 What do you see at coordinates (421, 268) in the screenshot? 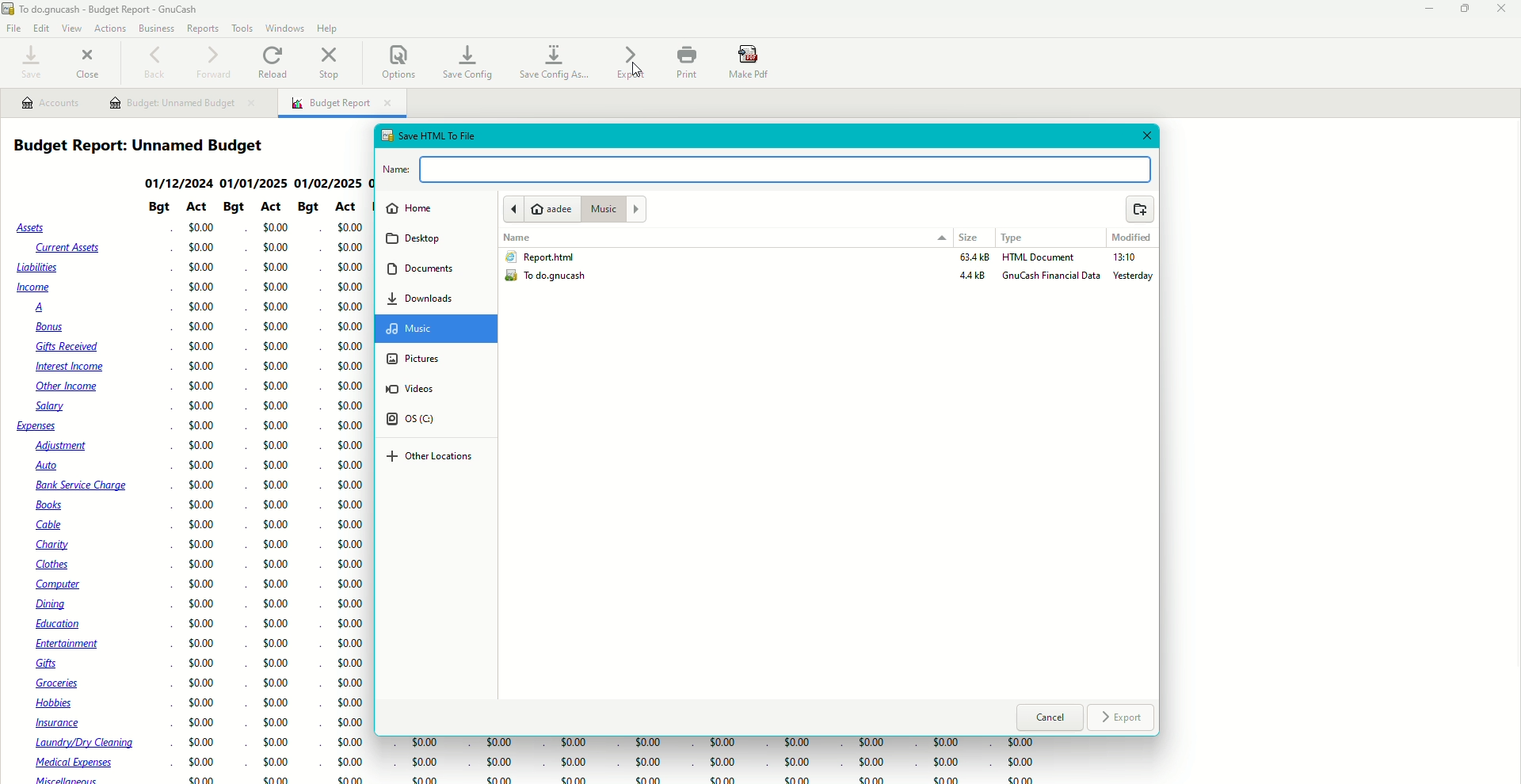
I see `Documents` at bounding box center [421, 268].